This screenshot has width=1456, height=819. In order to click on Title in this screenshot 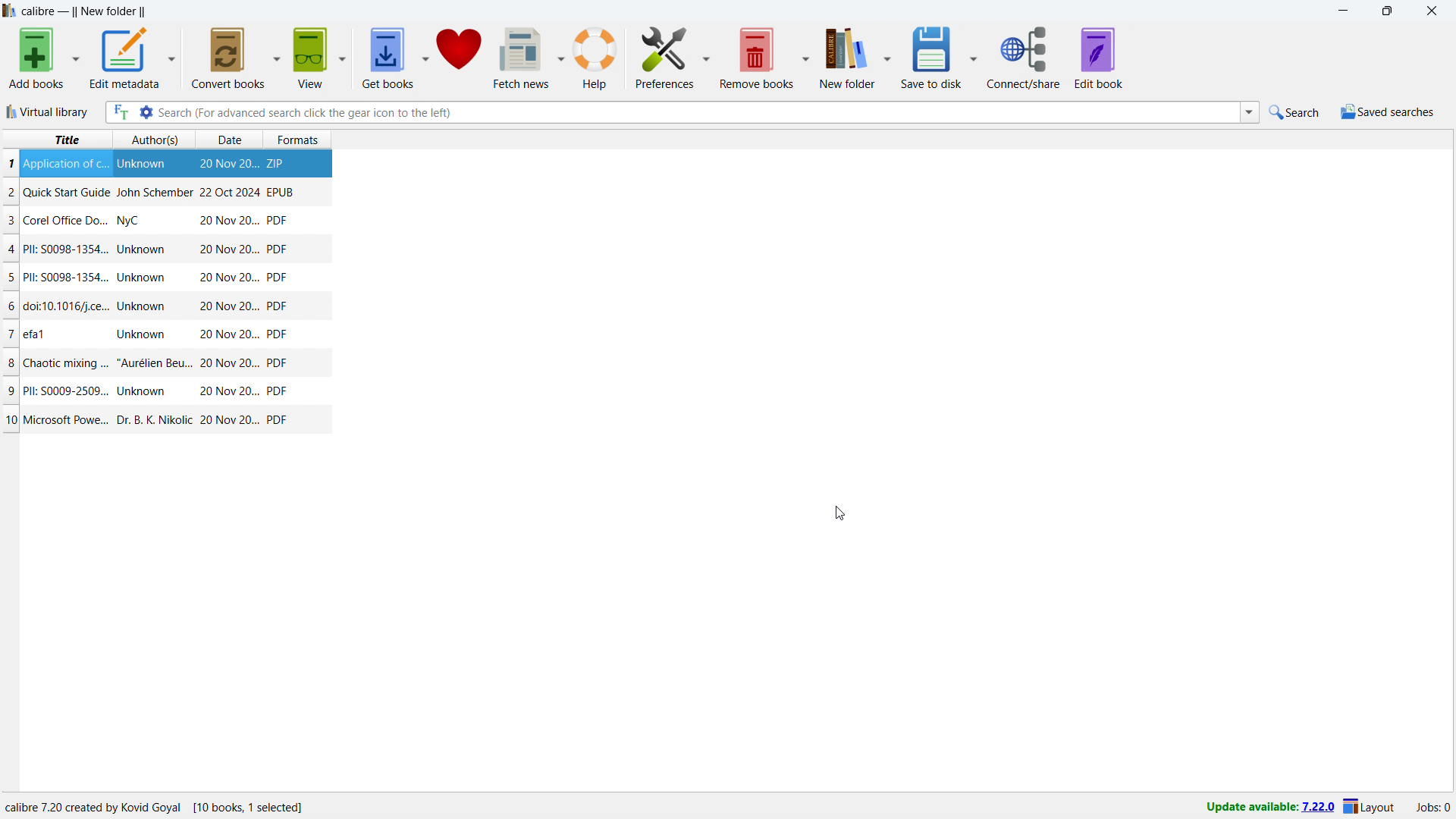, I will do `click(65, 164)`.